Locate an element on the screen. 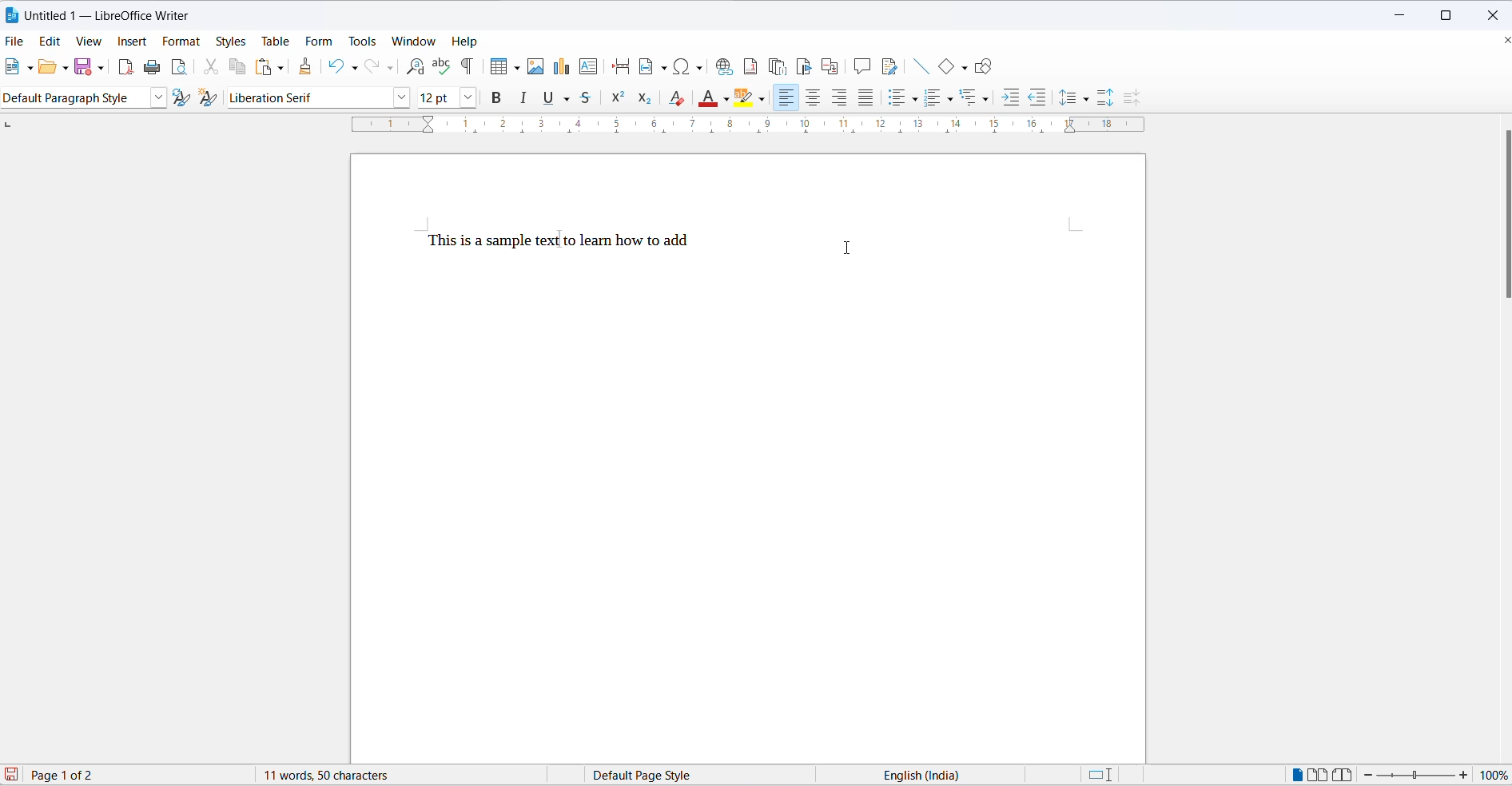 This screenshot has height=786, width=1512. open is located at coordinates (50, 67).